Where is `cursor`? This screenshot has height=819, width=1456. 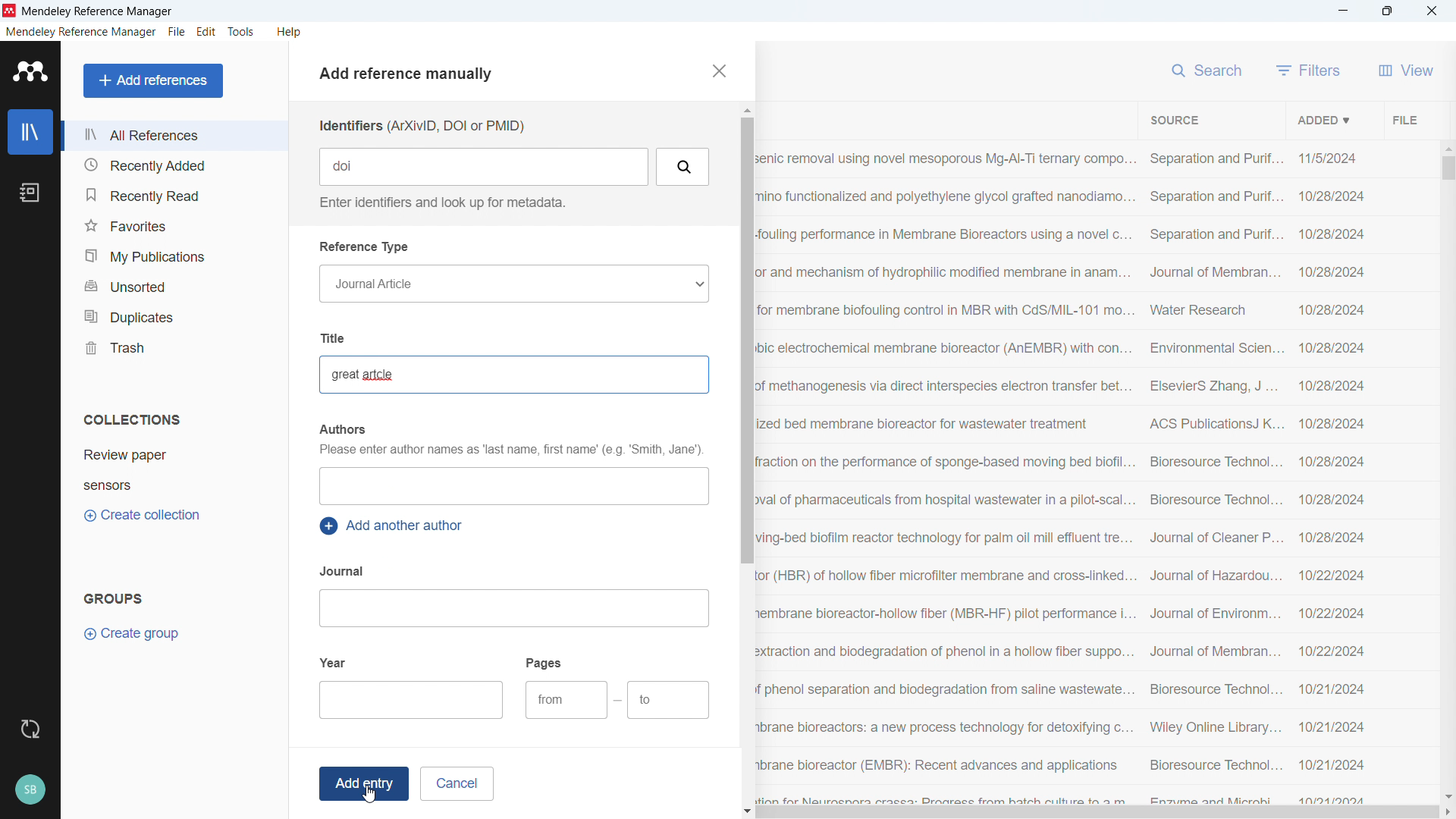
cursor is located at coordinates (370, 795).